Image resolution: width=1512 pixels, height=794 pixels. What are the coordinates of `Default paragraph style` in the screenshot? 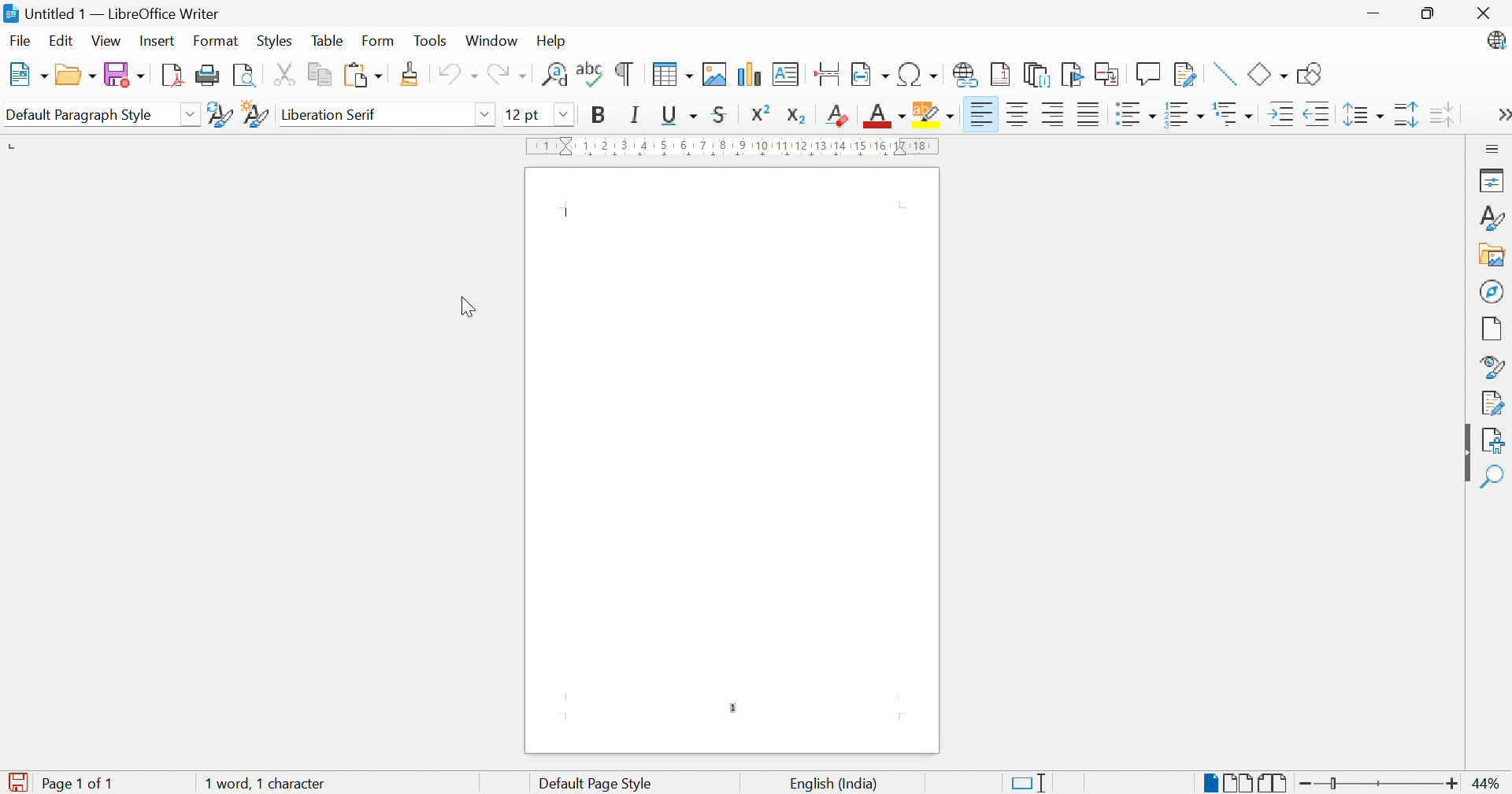 It's located at (80, 117).